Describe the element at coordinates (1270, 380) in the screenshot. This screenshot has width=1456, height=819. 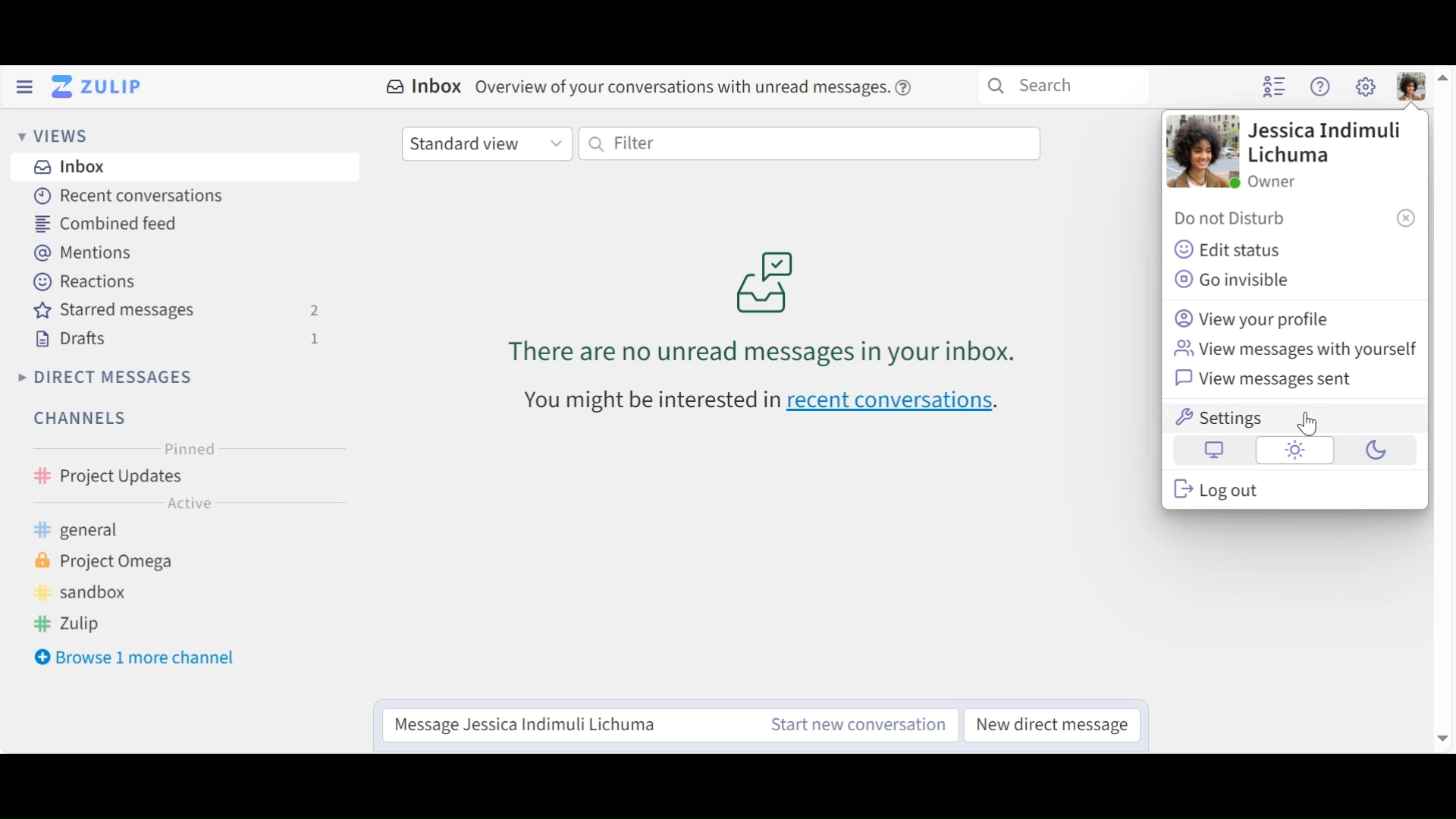
I see `View messages sent` at that location.